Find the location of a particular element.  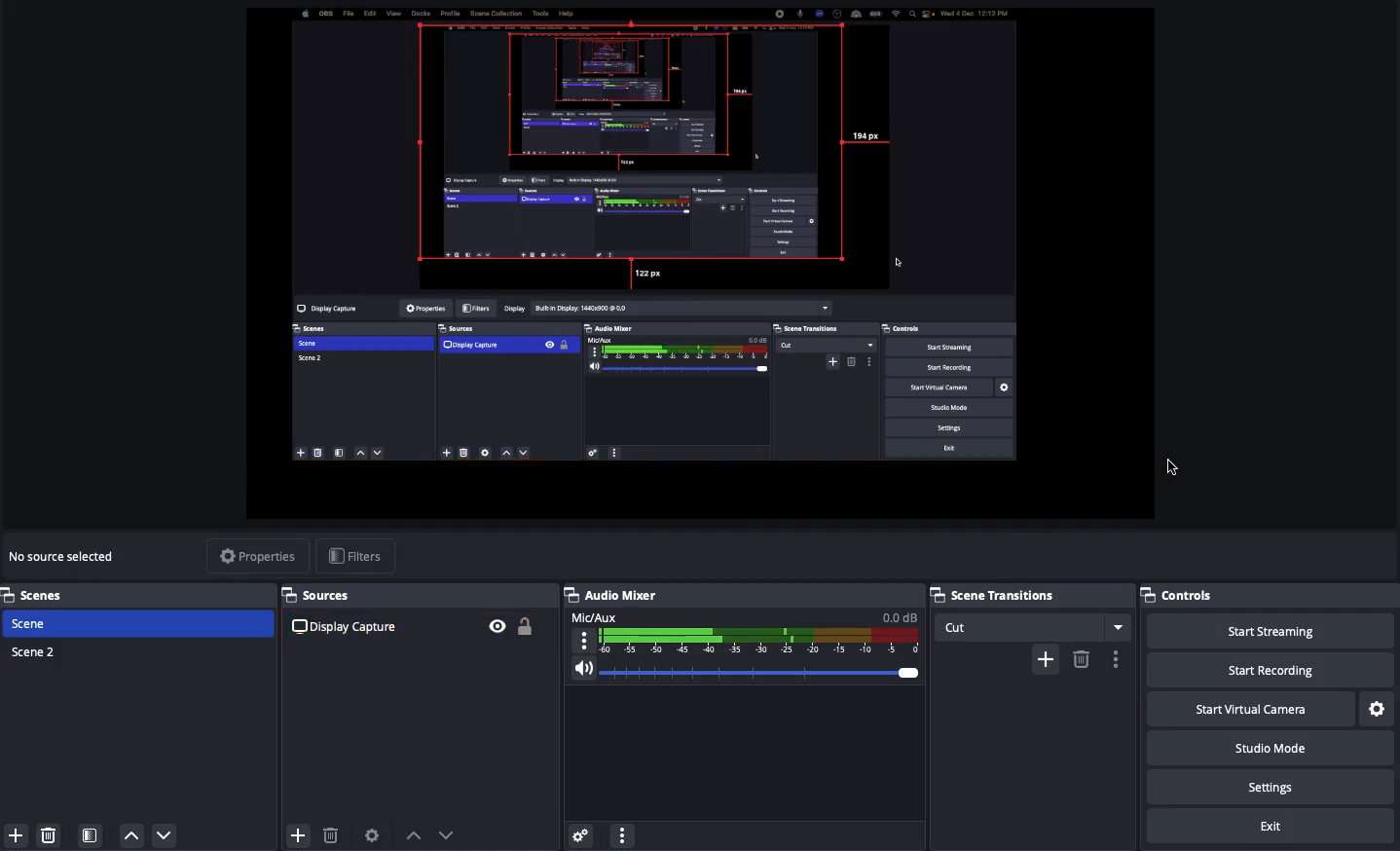

Move up is located at coordinates (131, 836).